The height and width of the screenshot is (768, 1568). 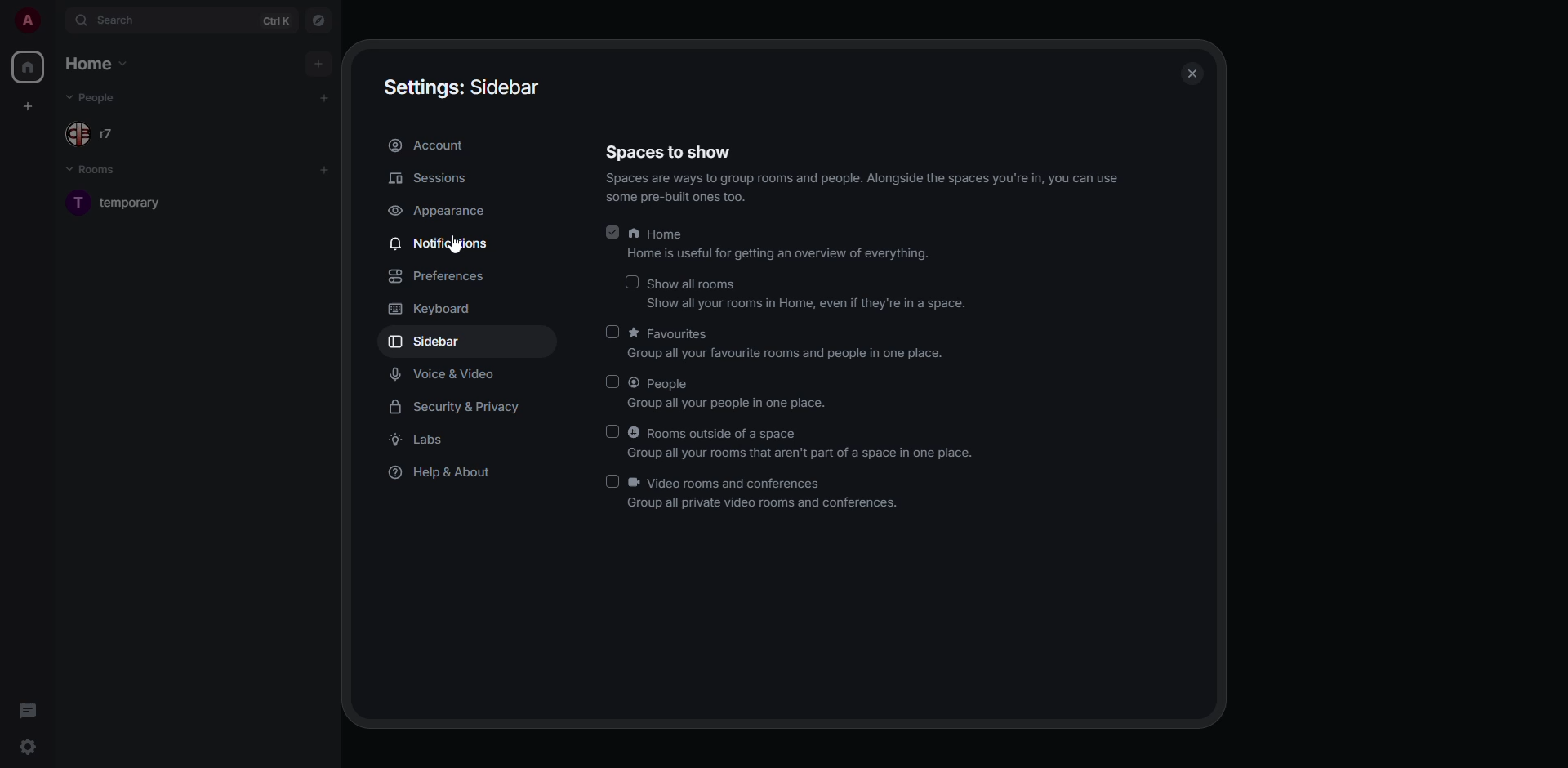 I want to click on voice & video, so click(x=451, y=375).